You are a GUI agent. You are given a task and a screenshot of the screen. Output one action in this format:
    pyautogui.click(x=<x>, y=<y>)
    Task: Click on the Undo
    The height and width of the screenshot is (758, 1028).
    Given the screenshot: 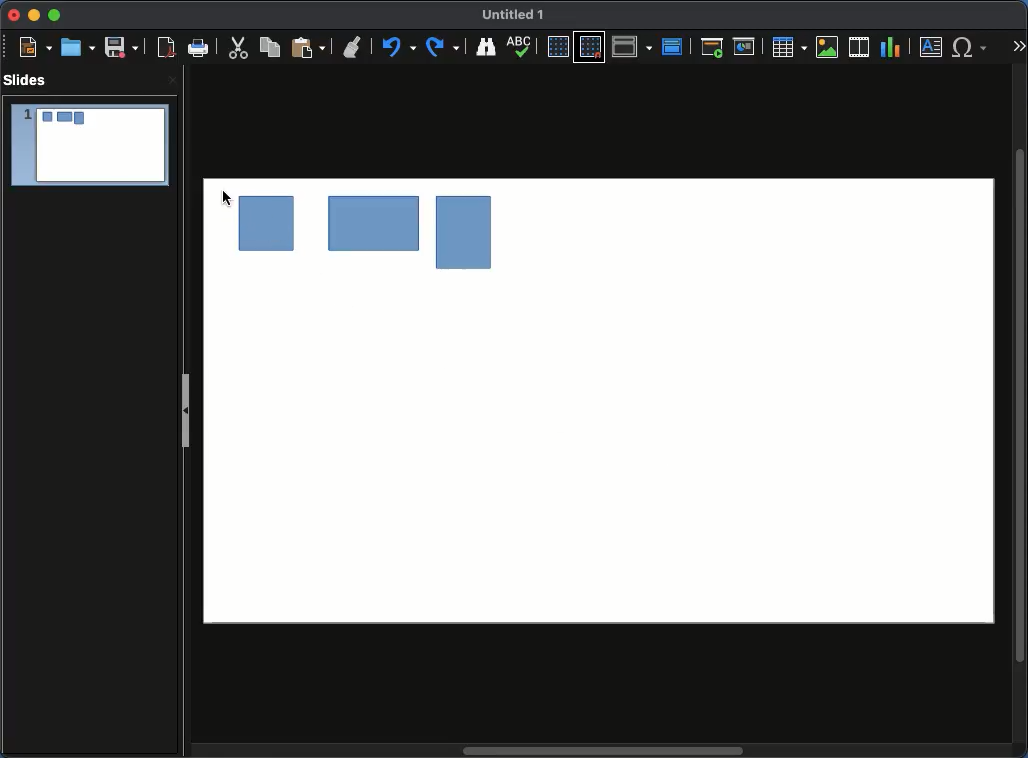 What is the action you would take?
    pyautogui.click(x=400, y=48)
    